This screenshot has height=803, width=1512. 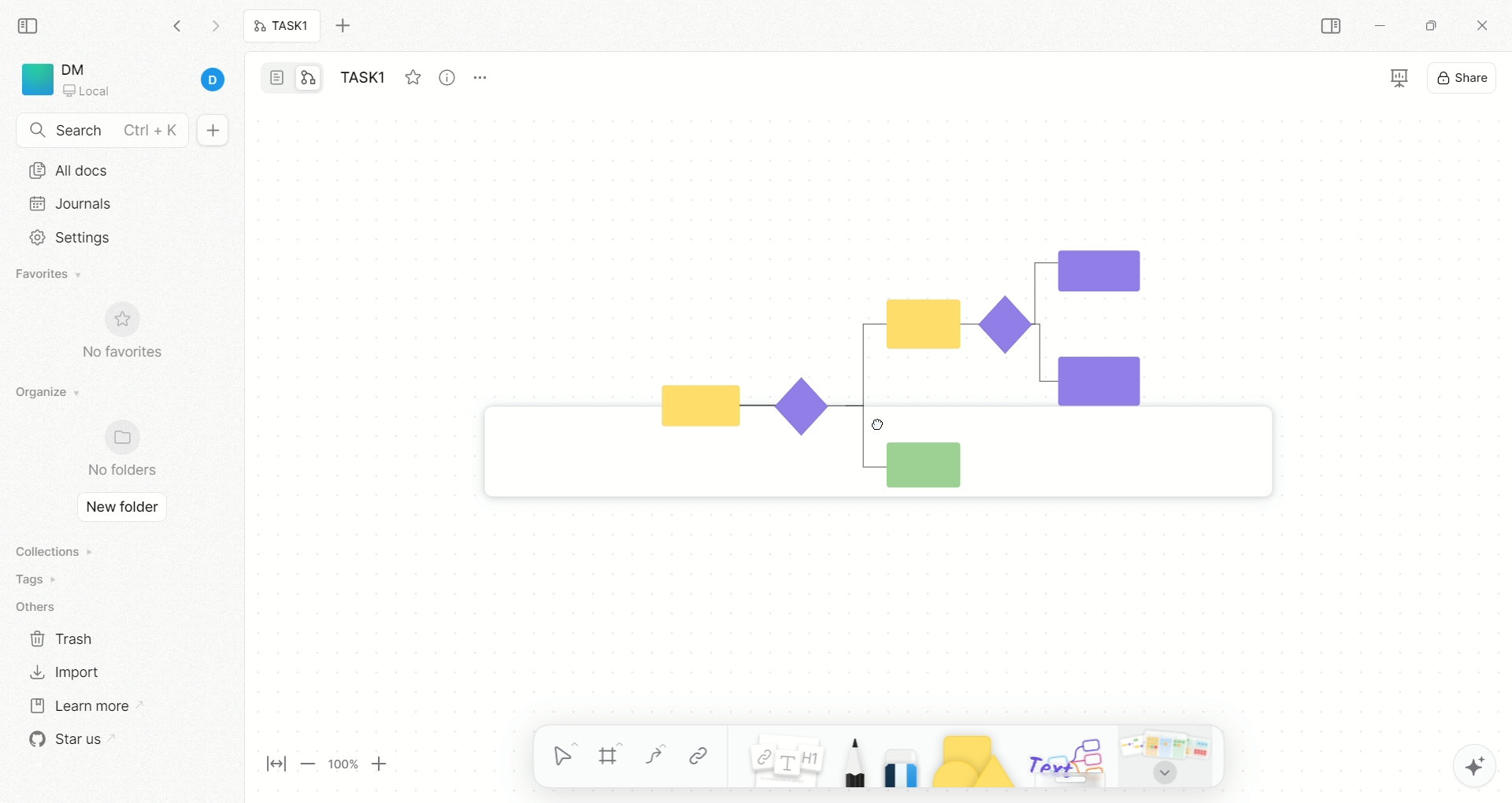 I want to click on share, so click(x=1464, y=76).